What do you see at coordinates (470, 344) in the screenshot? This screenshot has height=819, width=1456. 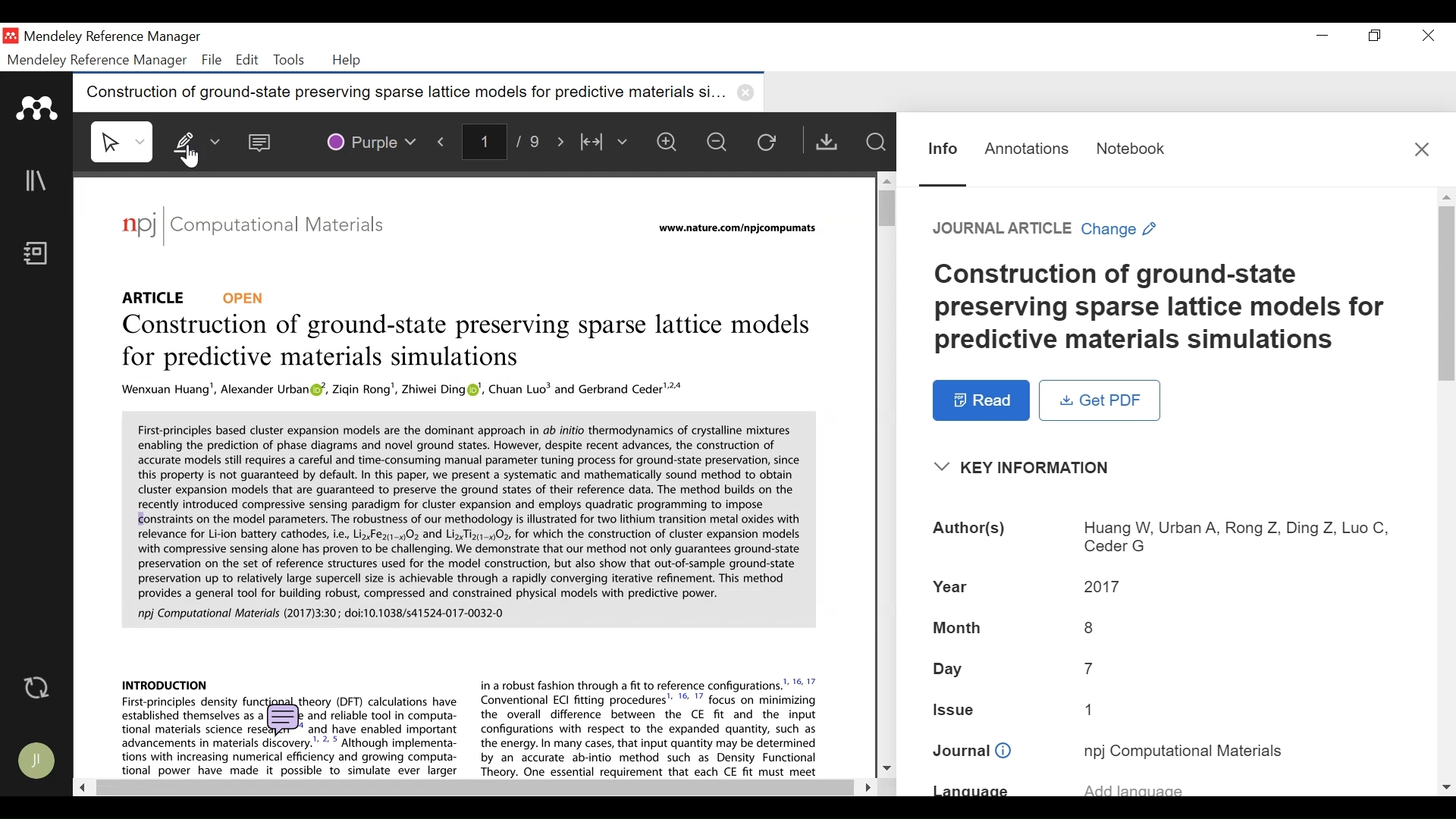 I see `Title` at bounding box center [470, 344].